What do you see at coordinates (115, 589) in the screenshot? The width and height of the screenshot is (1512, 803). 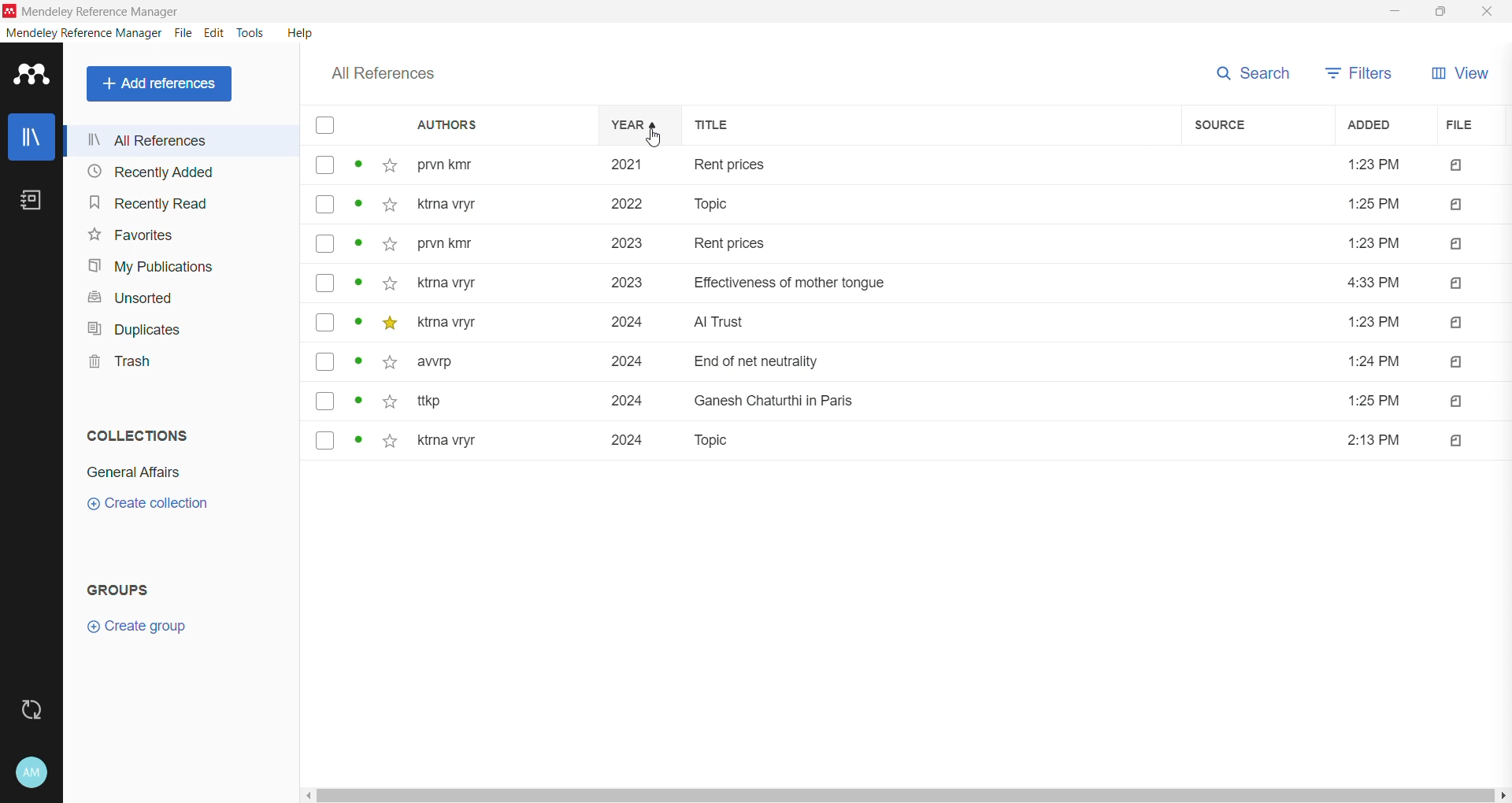 I see `Groups` at bounding box center [115, 589].